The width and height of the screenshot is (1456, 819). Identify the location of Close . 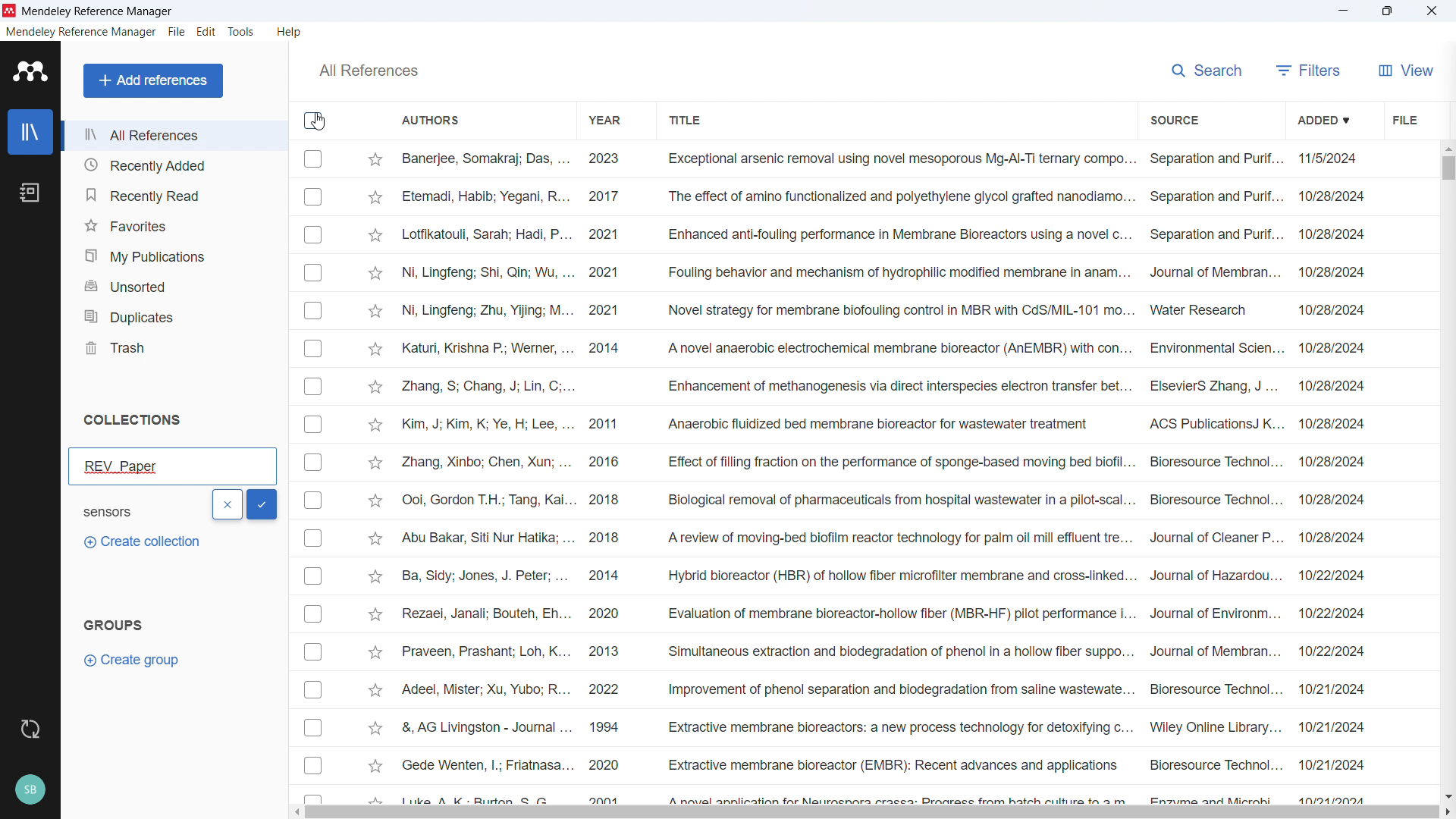
(1432, 11).